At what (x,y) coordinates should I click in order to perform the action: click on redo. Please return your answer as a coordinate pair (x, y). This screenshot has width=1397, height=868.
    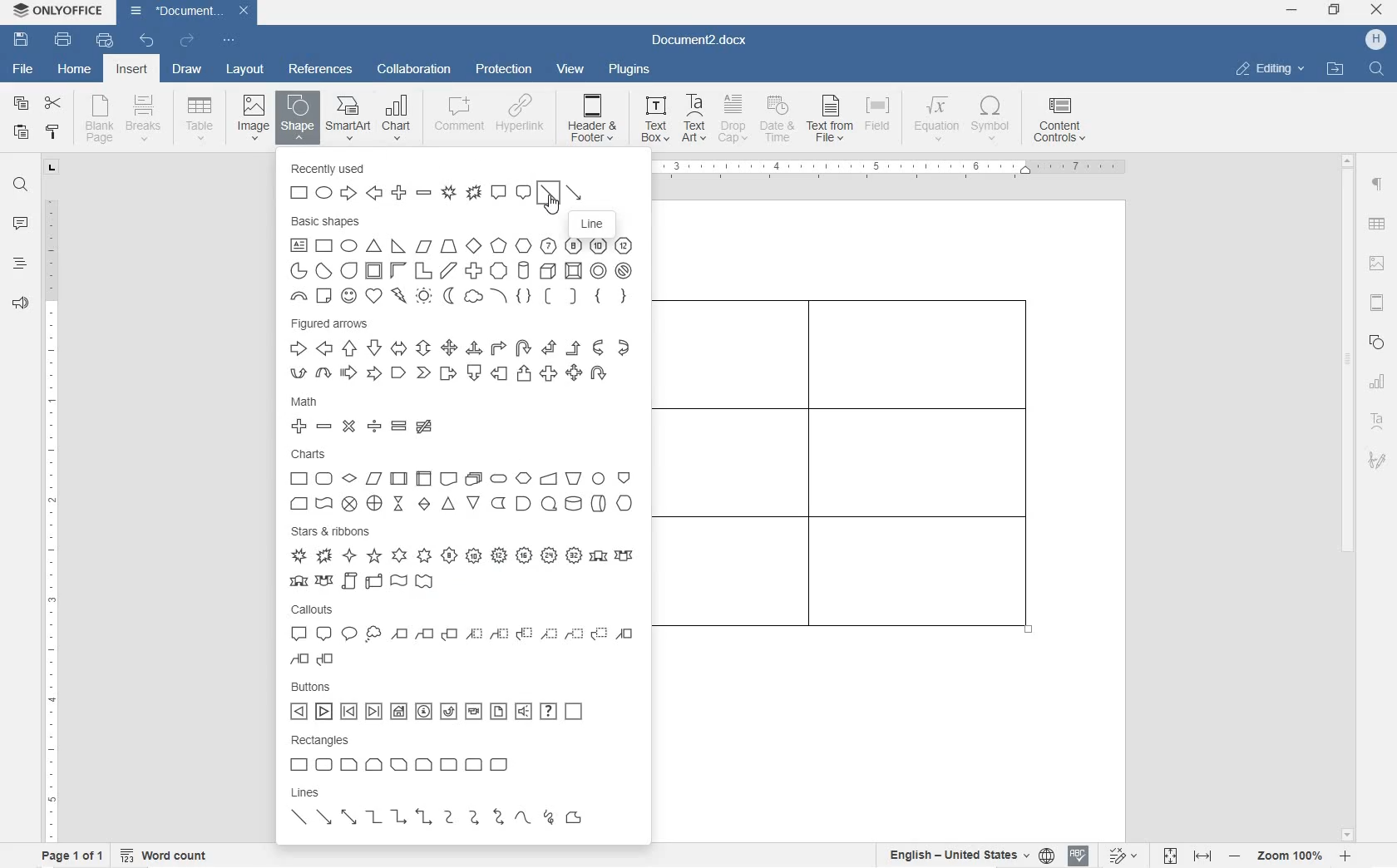
    Looking at the image, I should click on (187, 42).